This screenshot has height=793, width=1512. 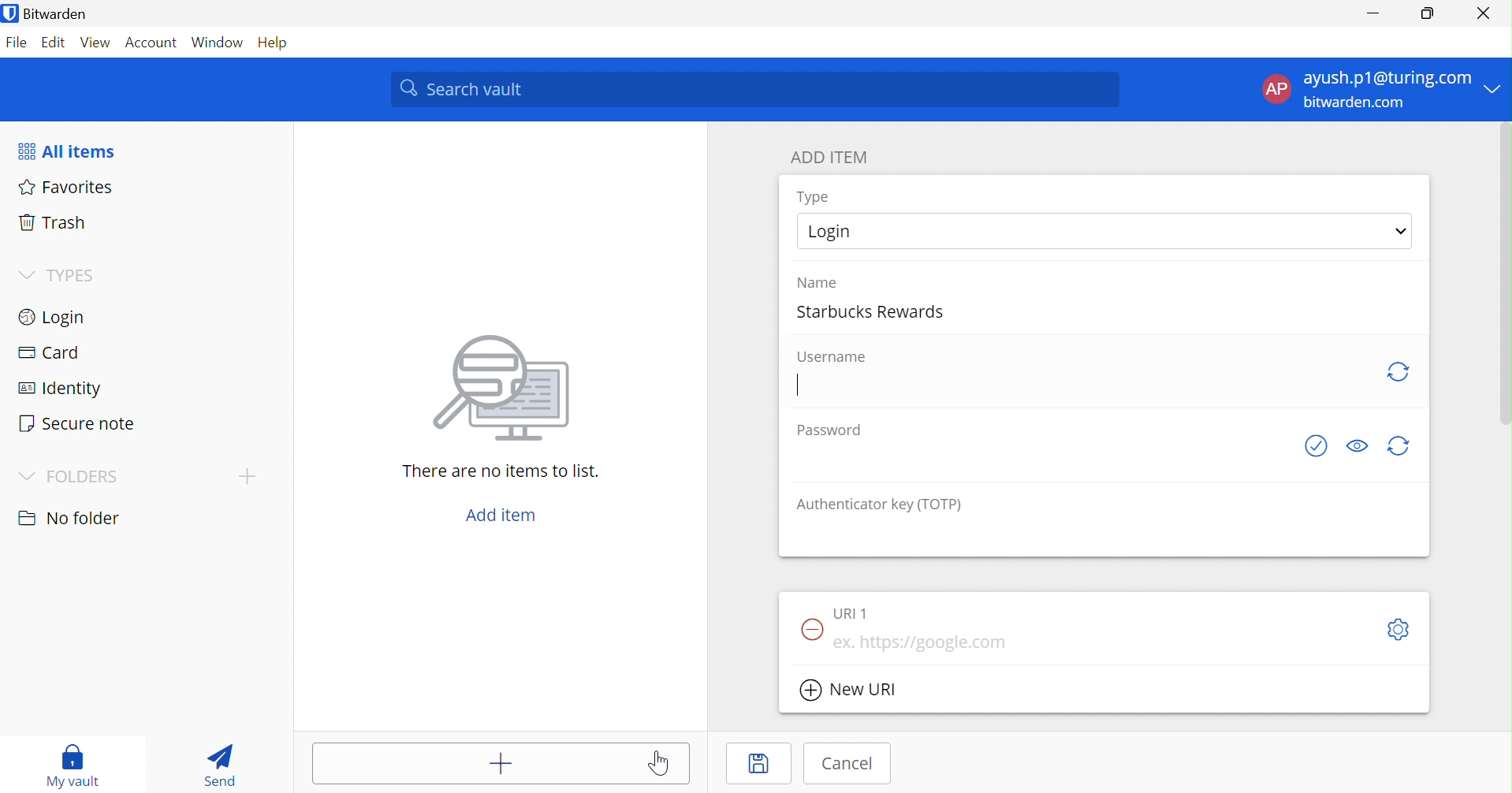 What do you see at coordinates (931, 643) in the screenshot?
I see `ex. https://google.com` at bounding box center [931, 643].